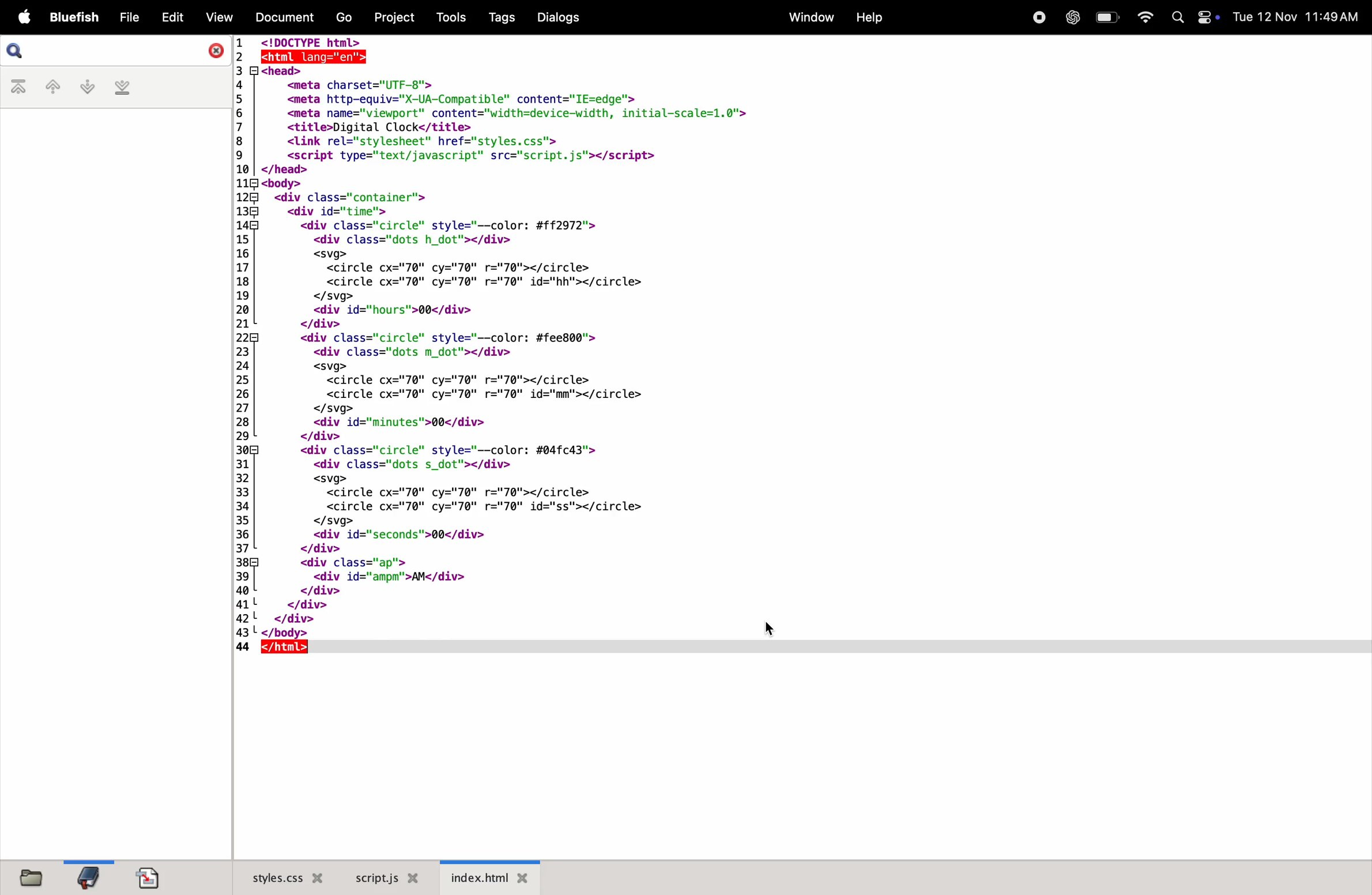 This screenshot has width=1372, height=895. Describe the element at coordinates (1143, 17) in the screenshot. I see `wifi` at that location.